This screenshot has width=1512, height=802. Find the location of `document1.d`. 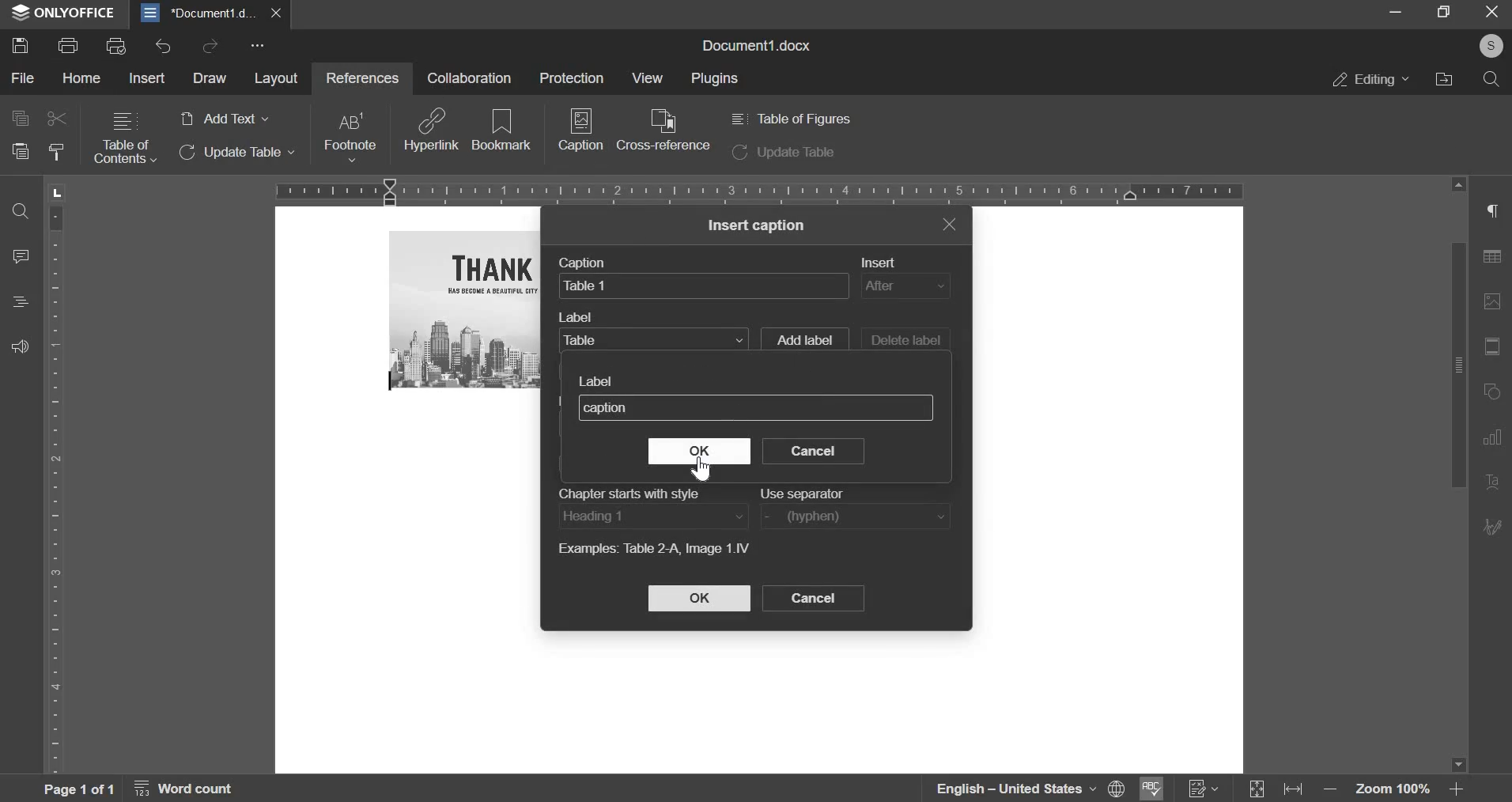

document1.d is located at coordinates (201, 13).